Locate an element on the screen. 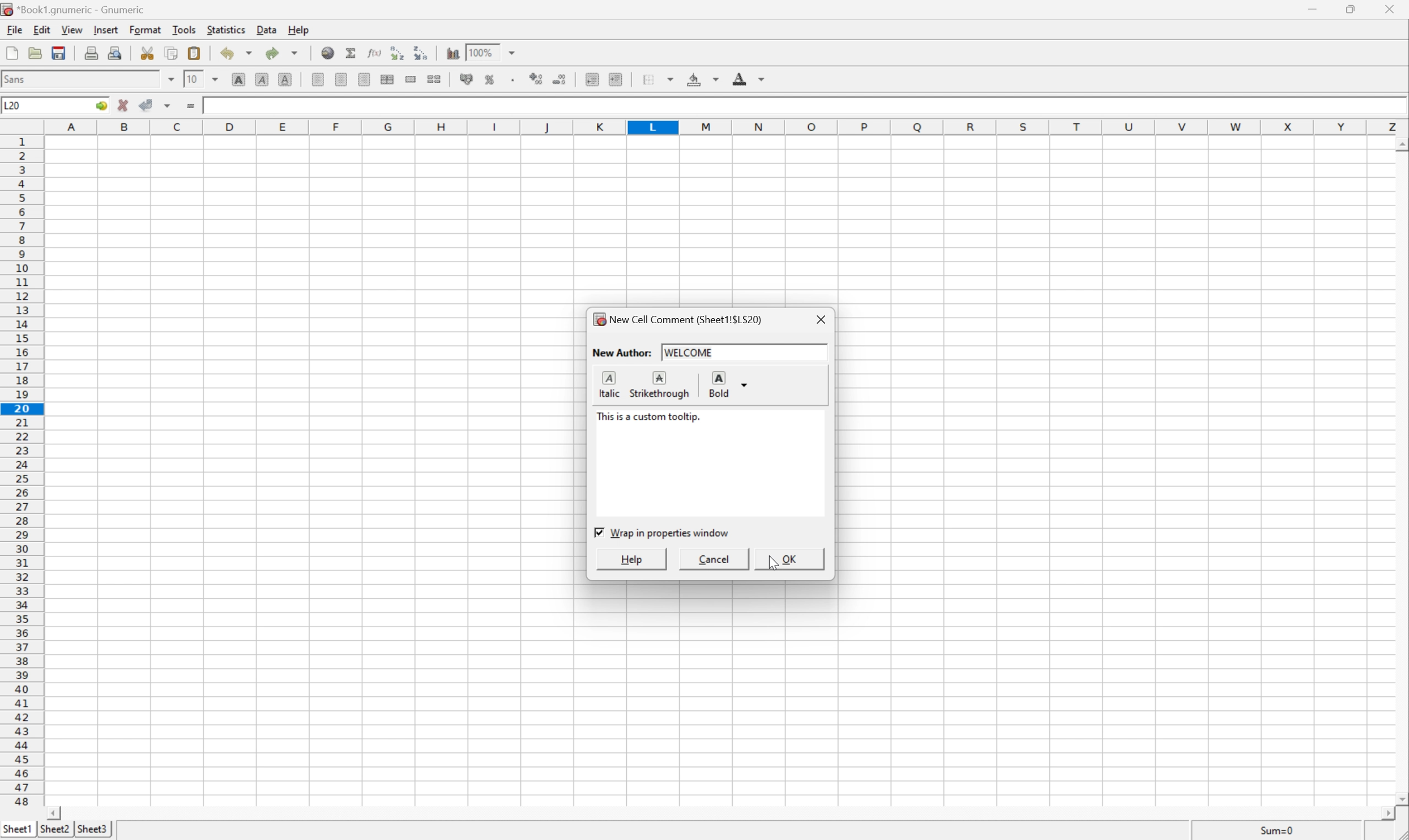 This screenshot has height=840, width=1409. OK is located at coordinates (792, 559).